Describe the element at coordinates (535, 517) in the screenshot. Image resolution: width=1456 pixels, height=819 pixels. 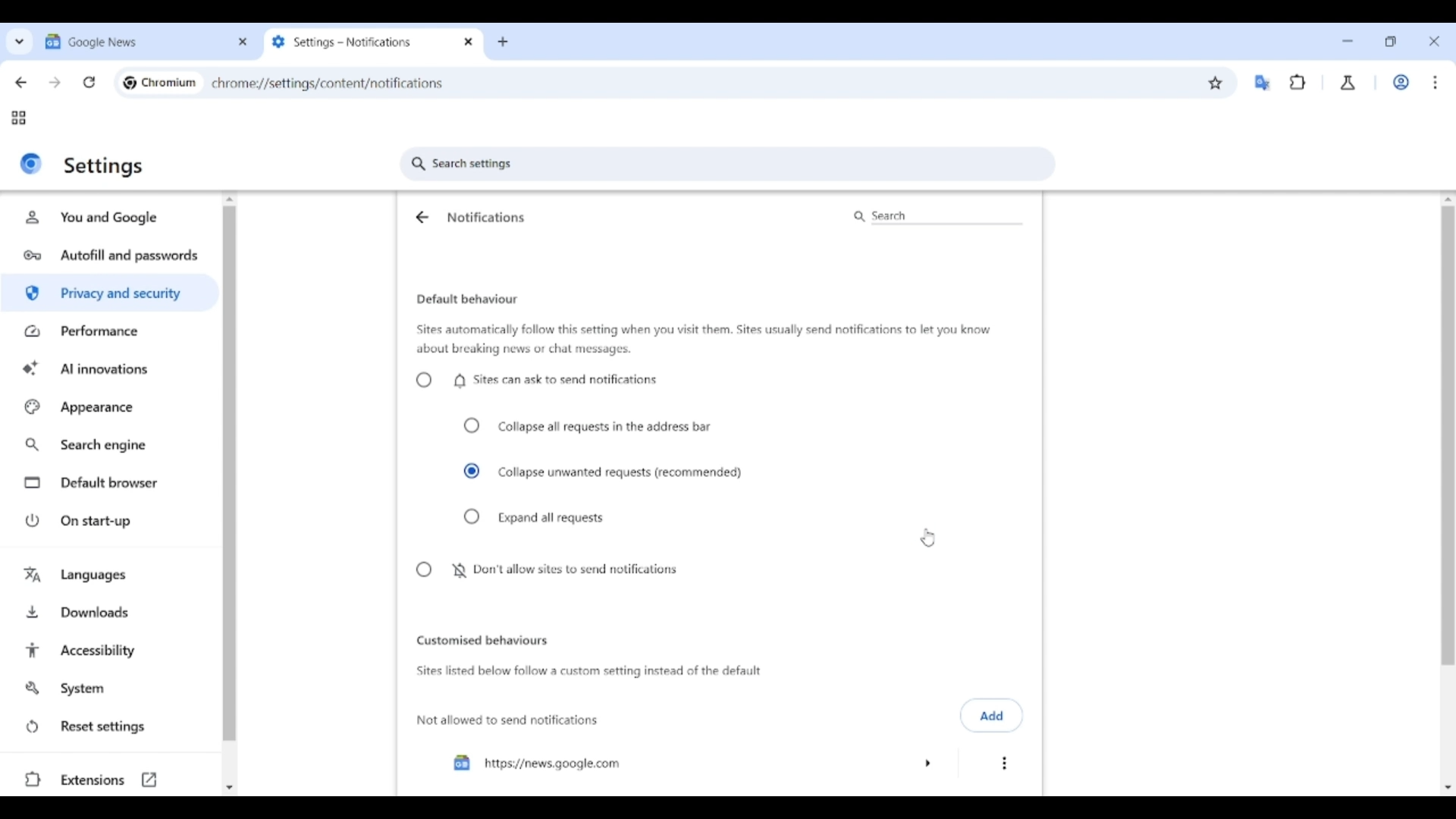
I see `Expand all request ` at that location.